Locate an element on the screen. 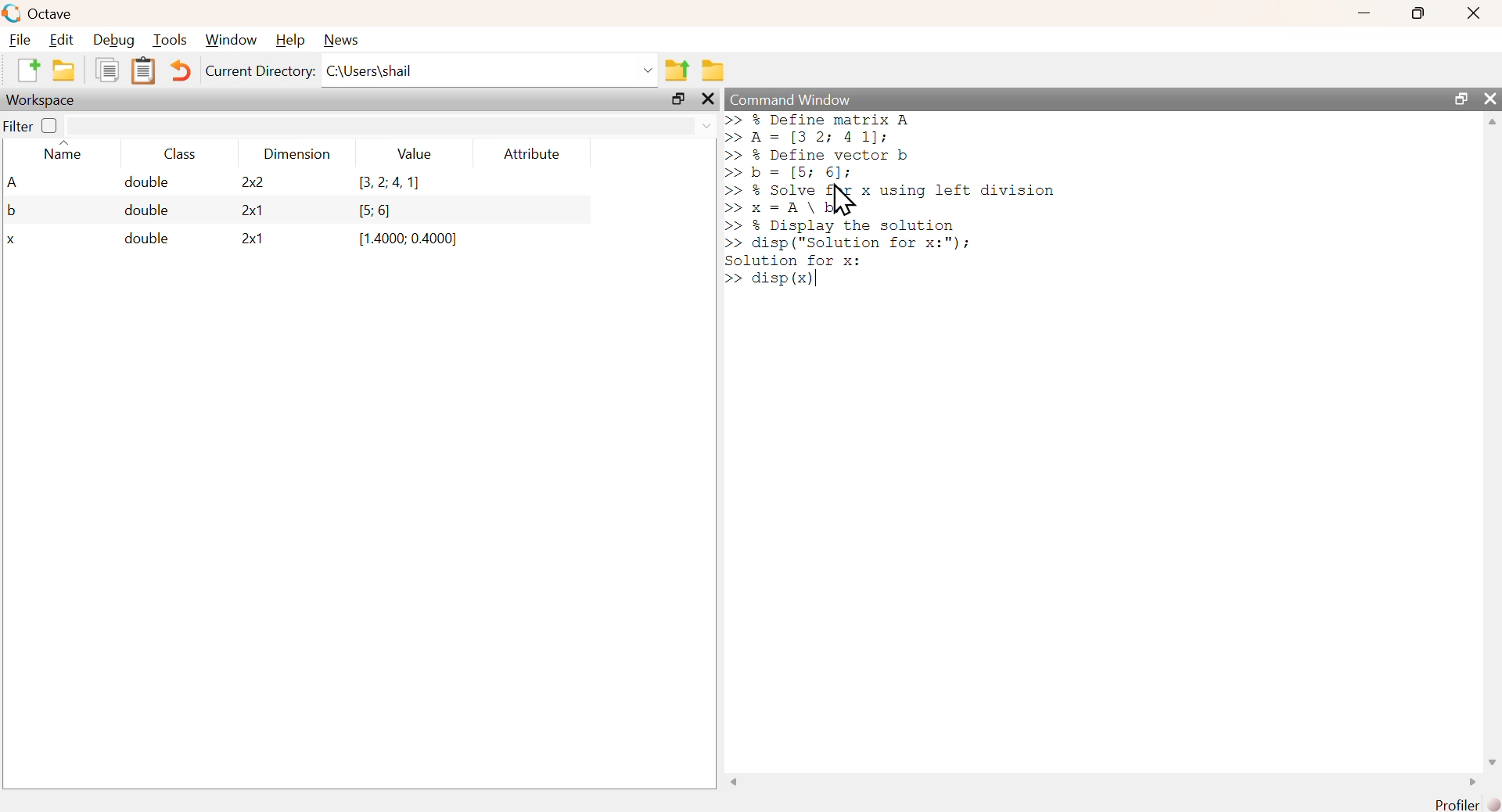  class is located at coordinates (178, 156).